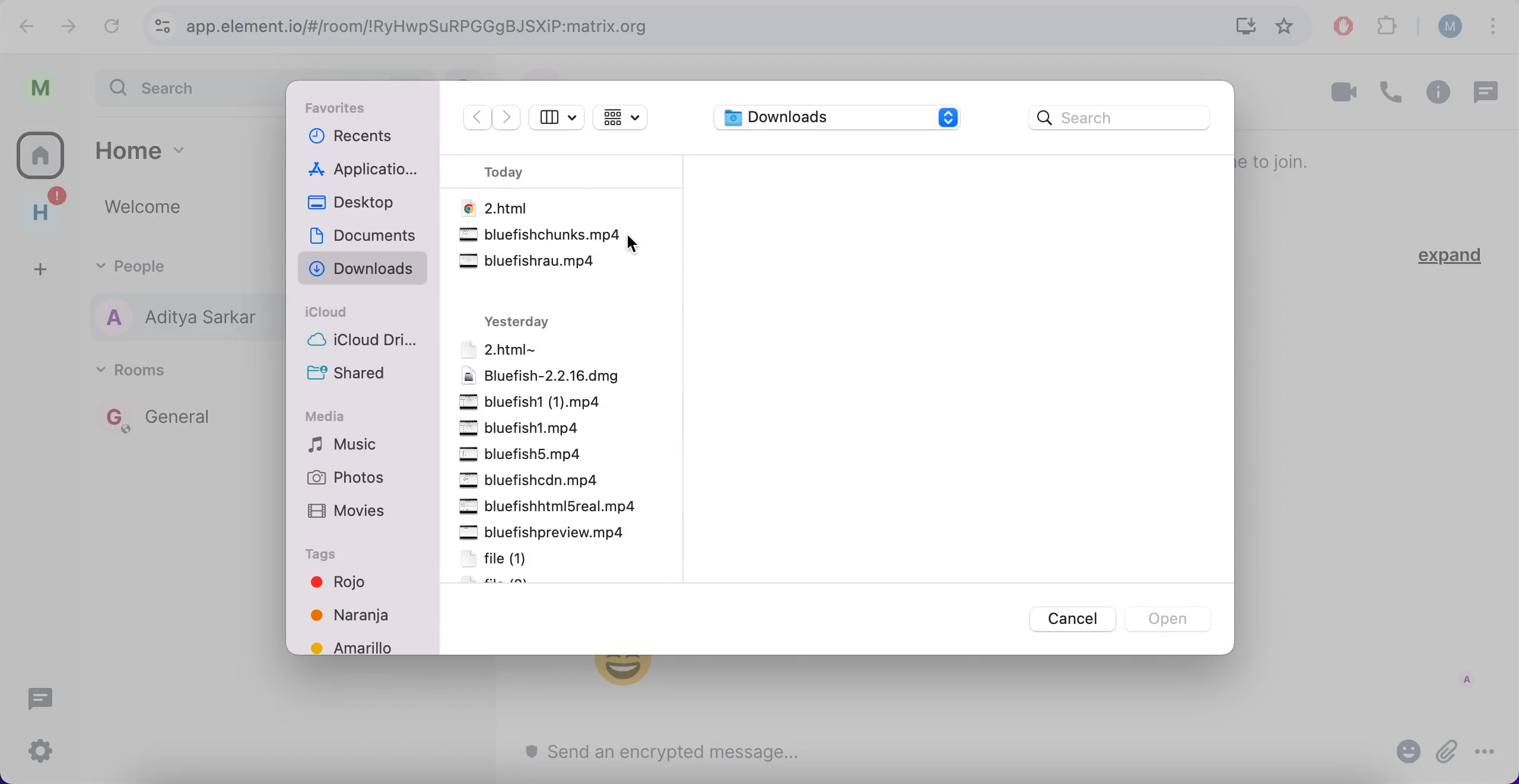 This screenshot has width=1519, height=784. What do you see at coordinates (366, 446) in the screenshot?
I see `music` at bounding box center [366, 446].